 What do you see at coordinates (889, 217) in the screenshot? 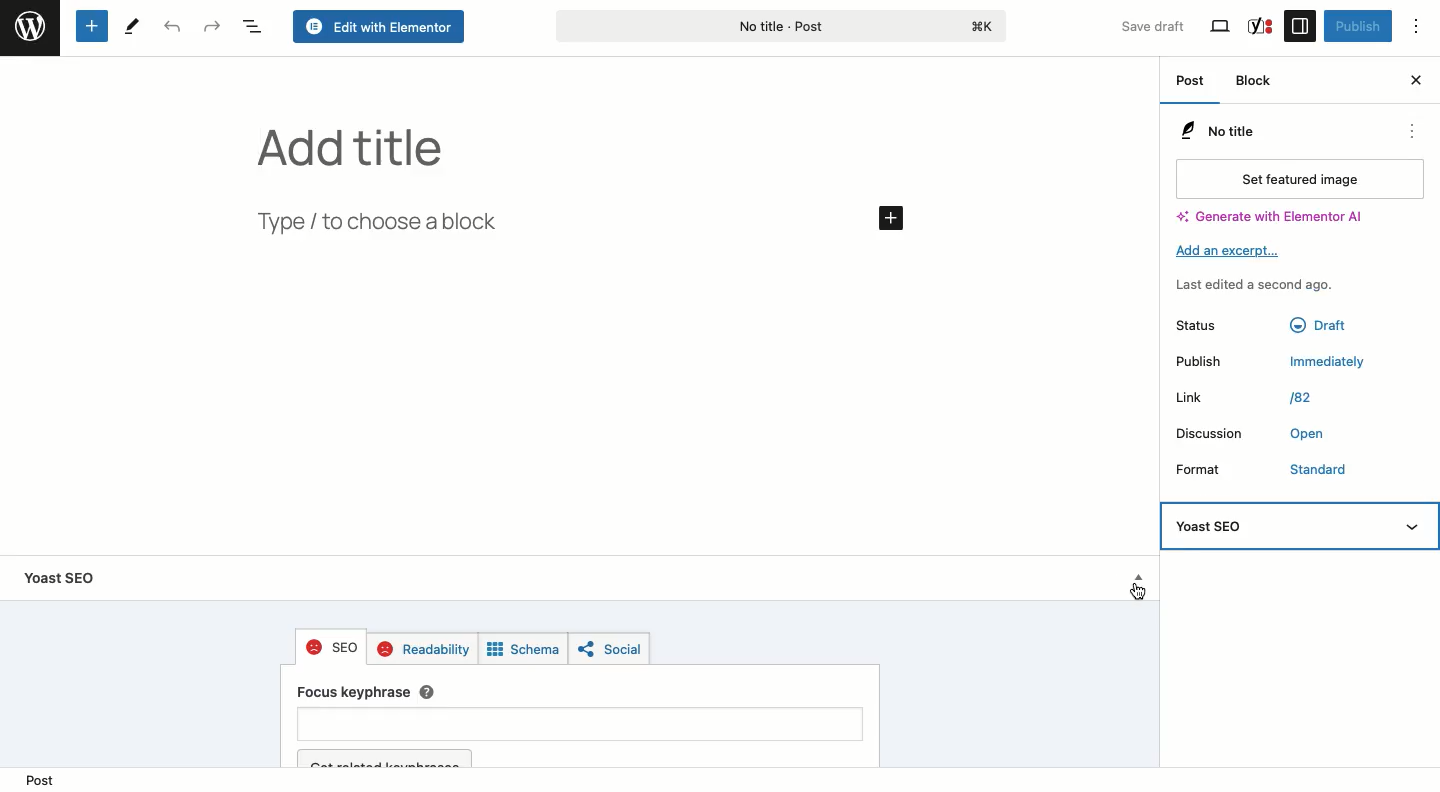
I see `Add button` at bounding box center [889, 217].